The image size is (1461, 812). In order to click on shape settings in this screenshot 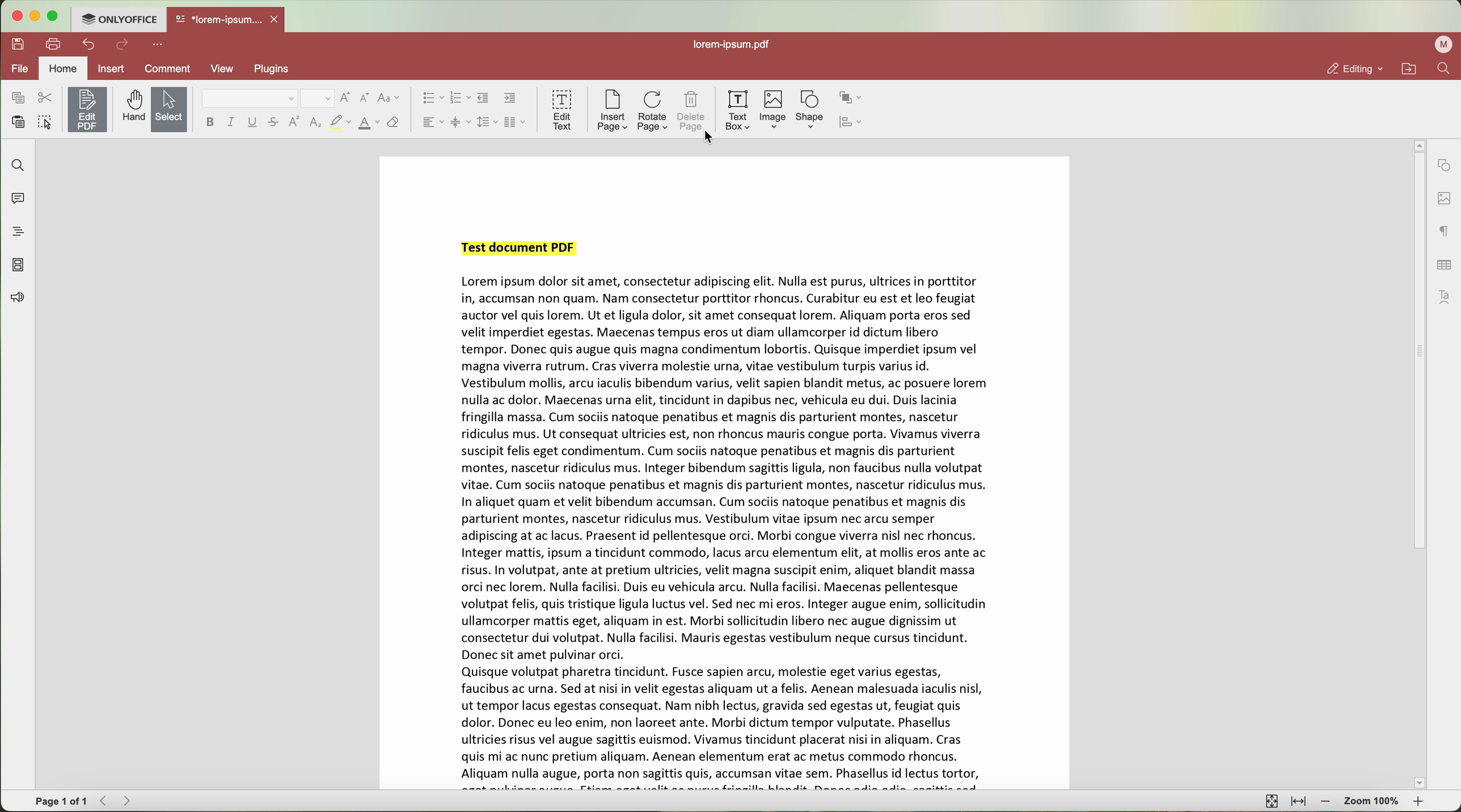, I will do `click(1445, 167)`.